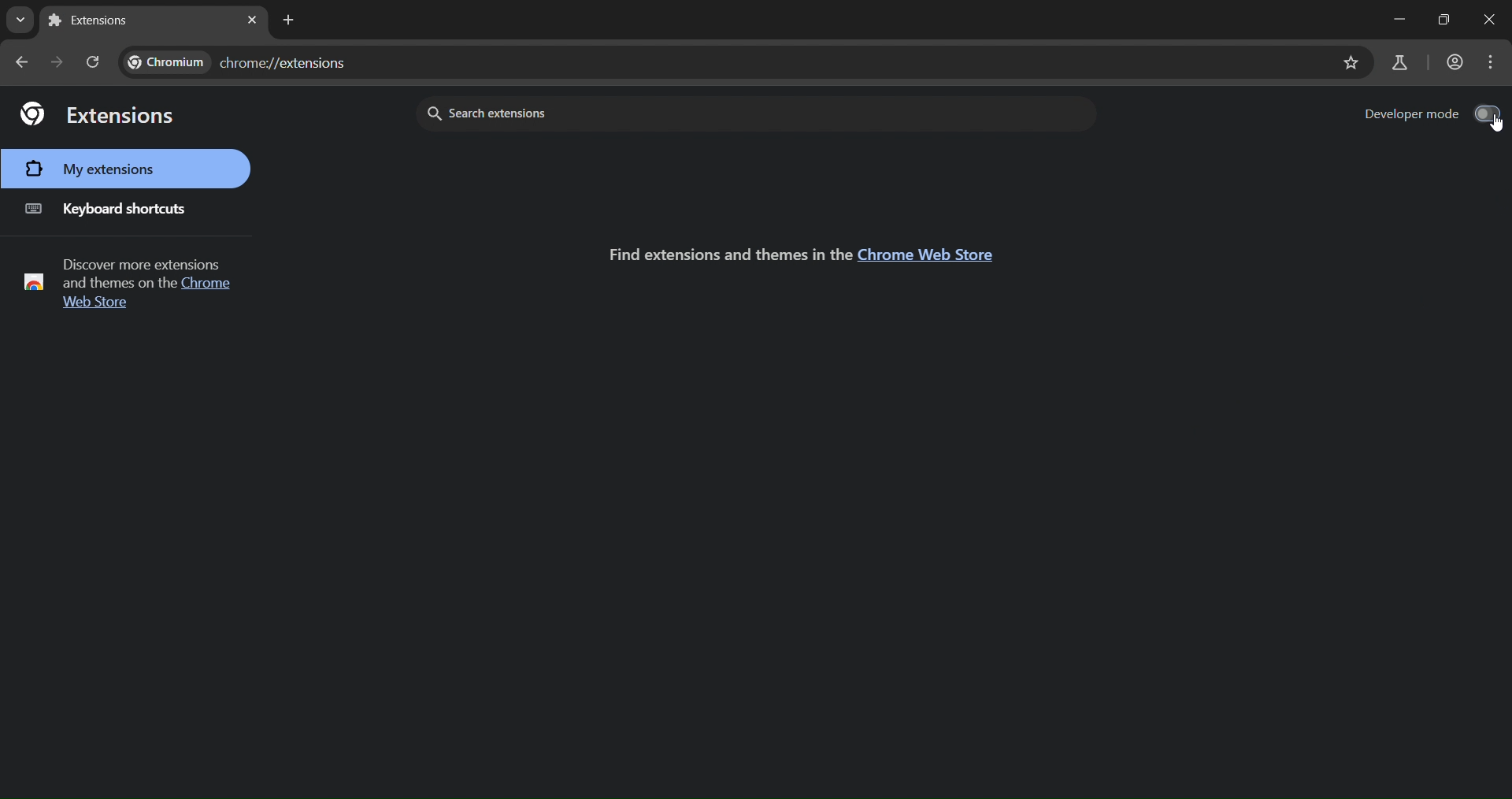  What do you see at coordinates (661, 113) in the screenshot?
I see `search extensions` at bounding box center [661, 113].